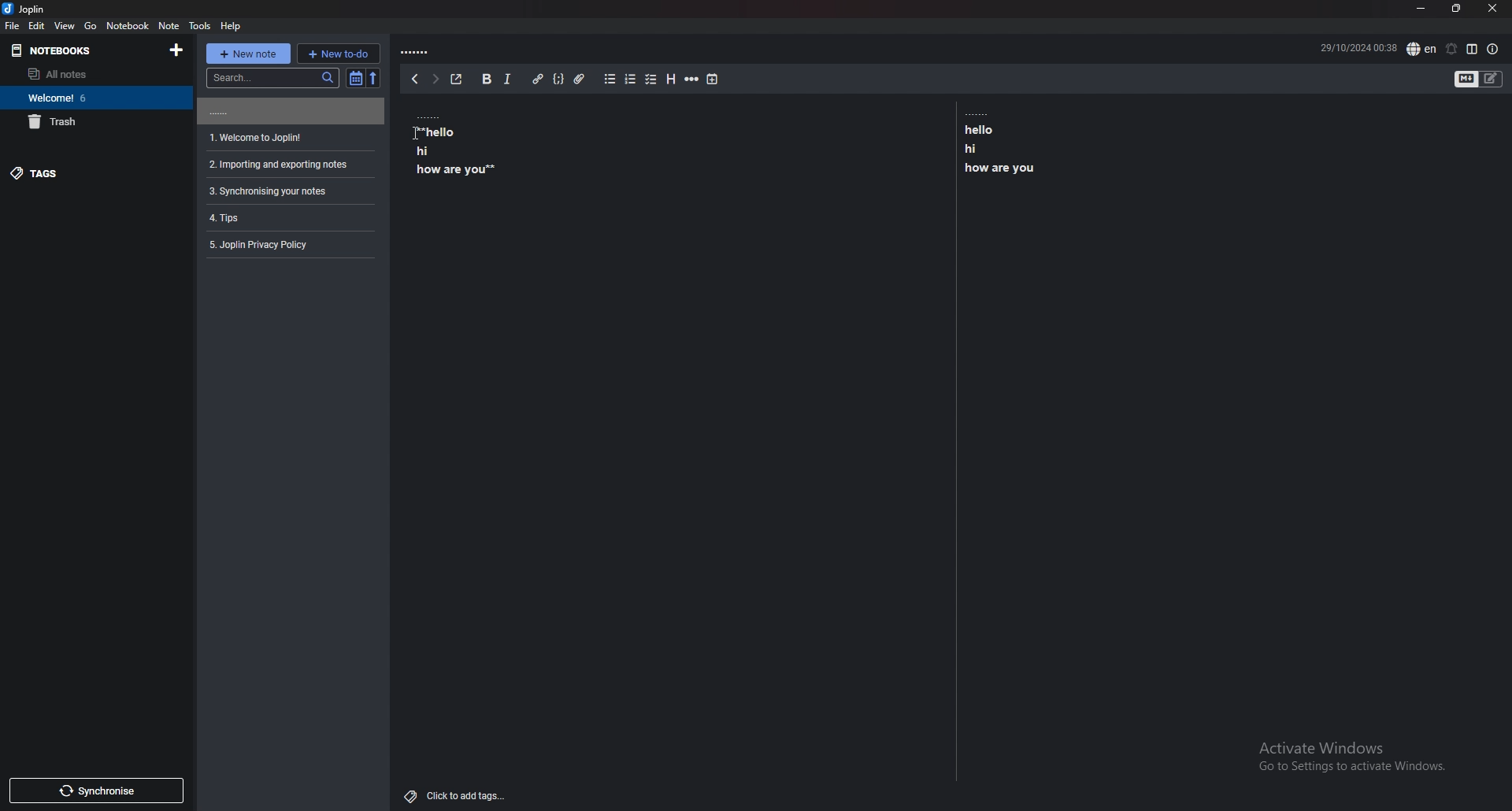 This screenshot has width=1512, height=811. I want to click on note title, so click(417, 53).